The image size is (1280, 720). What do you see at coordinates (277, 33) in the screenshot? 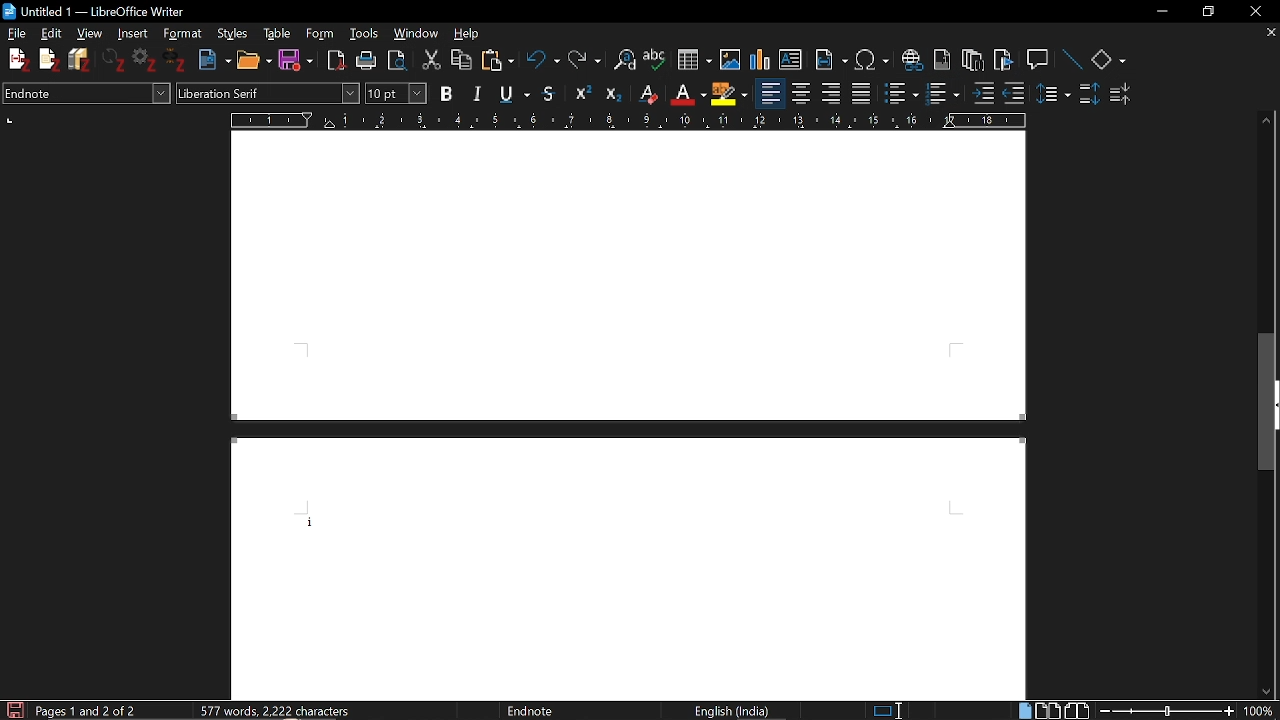
I see `Table` at bounding box center [277, 33].